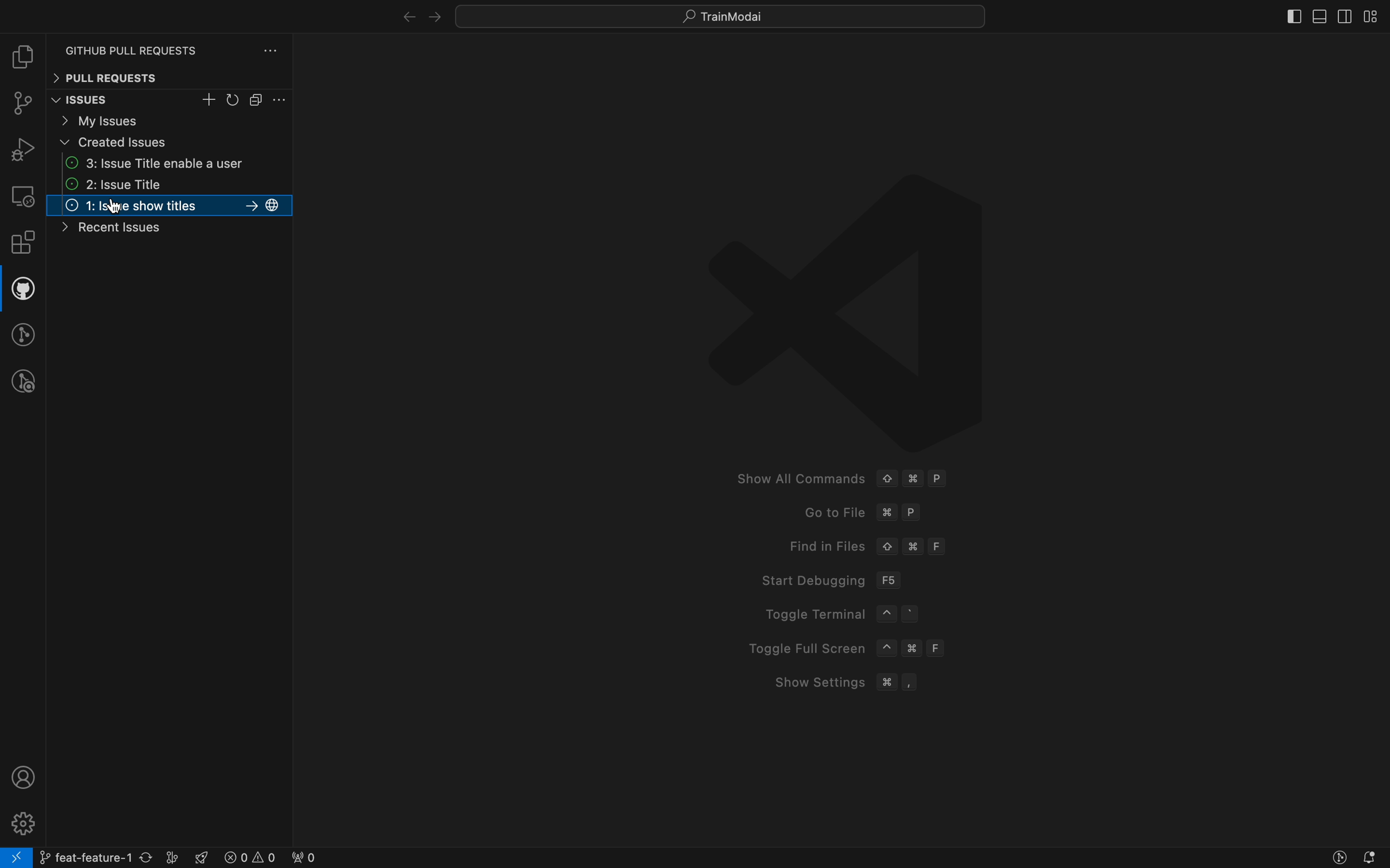 This screenshot has height=868, width=1390. Describe the element at coordinates (22, 59) in the screenshot. I see `file explorer ` at that location.